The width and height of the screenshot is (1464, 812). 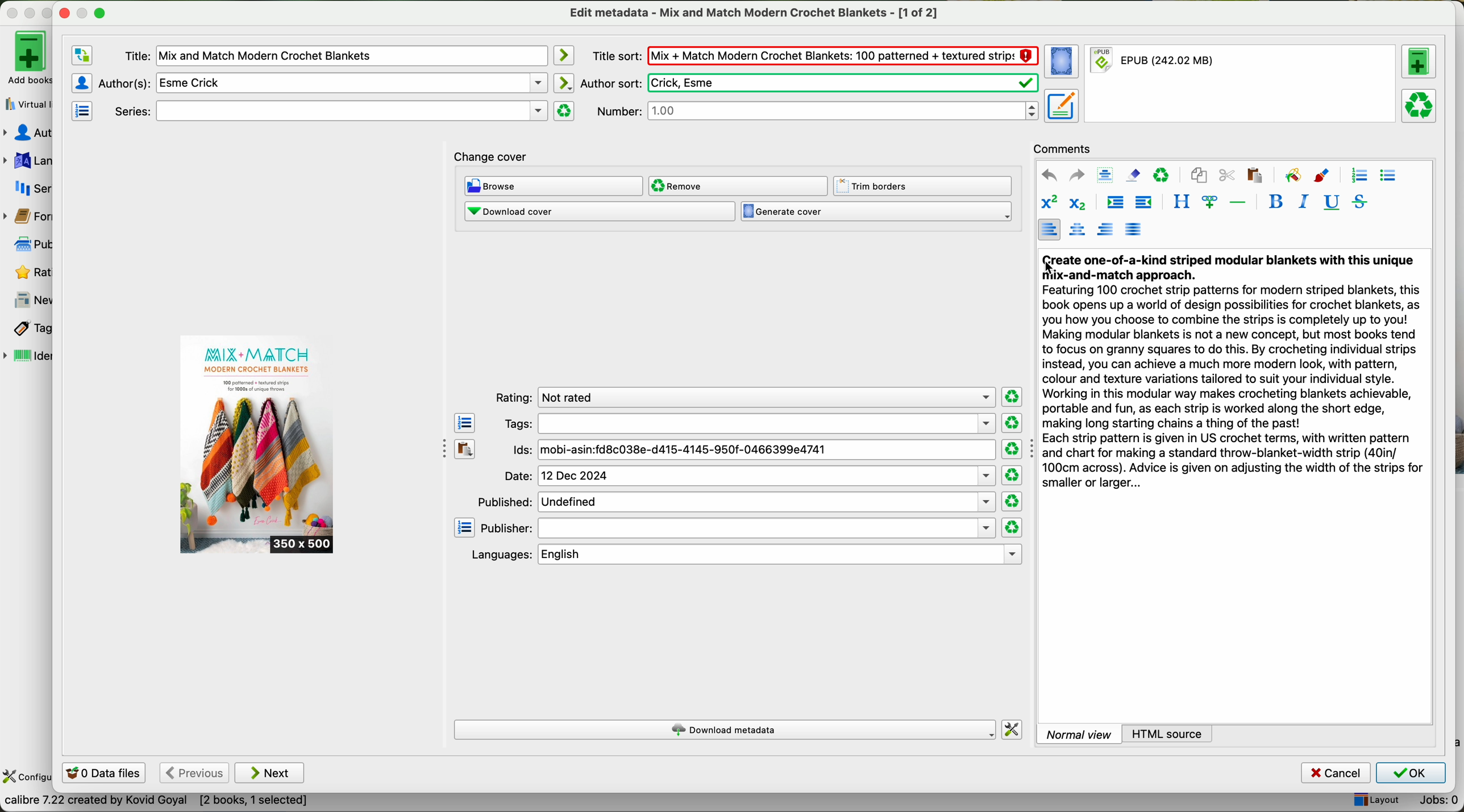 What do you see at coordinates (1050, 269) in the screenshot?
I see `cursor` at bounding box center [1050, 269].